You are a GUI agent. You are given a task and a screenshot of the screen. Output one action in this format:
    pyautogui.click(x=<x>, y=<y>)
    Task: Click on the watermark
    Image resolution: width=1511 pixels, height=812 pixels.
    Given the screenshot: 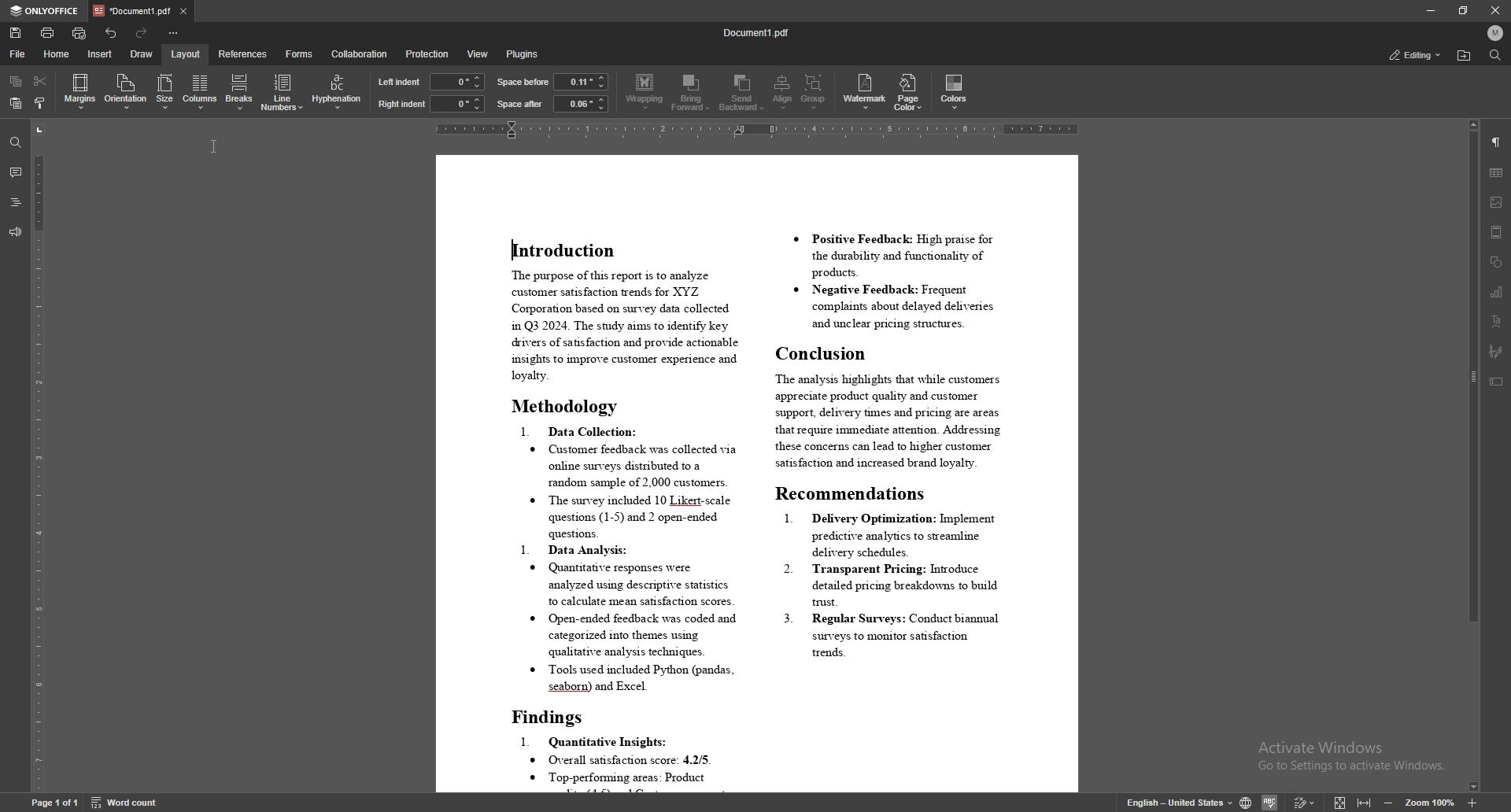 What is the action you would take?
    pyautogui.click(x=866, y=91)
    